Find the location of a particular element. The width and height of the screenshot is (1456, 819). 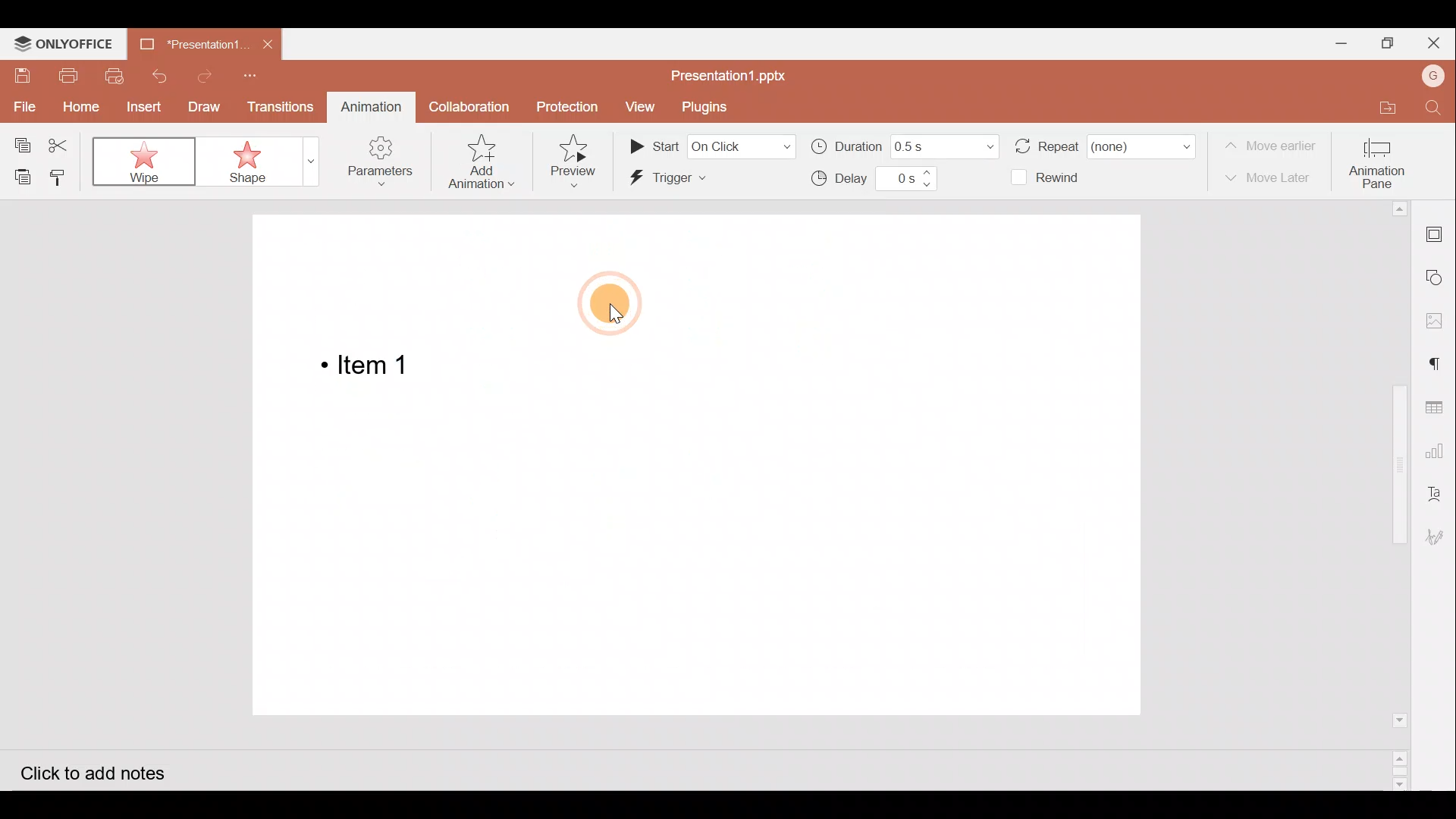

Move later is located at coordinates (1269, 179).